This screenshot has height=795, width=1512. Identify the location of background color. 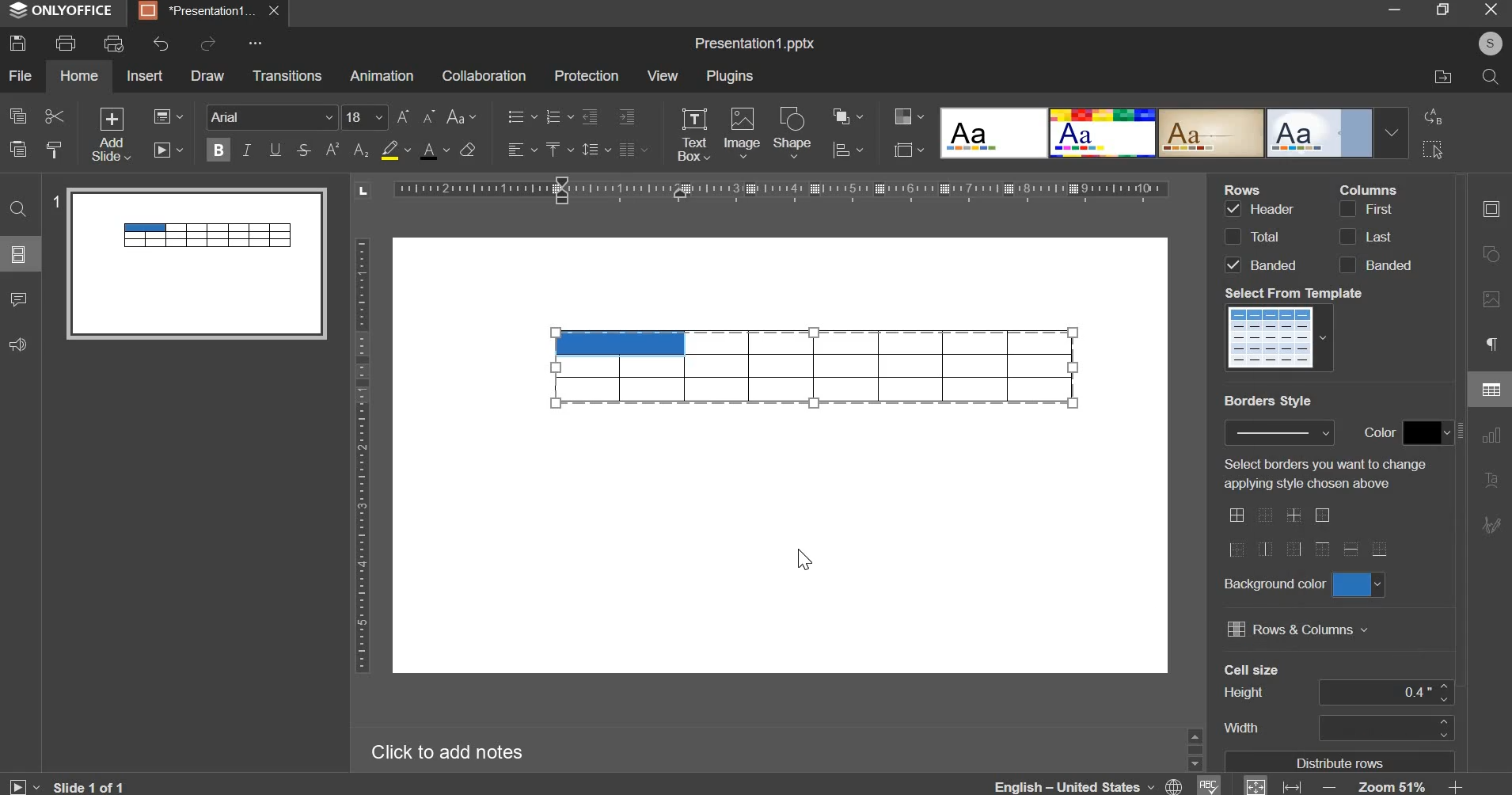
(1357, 584).